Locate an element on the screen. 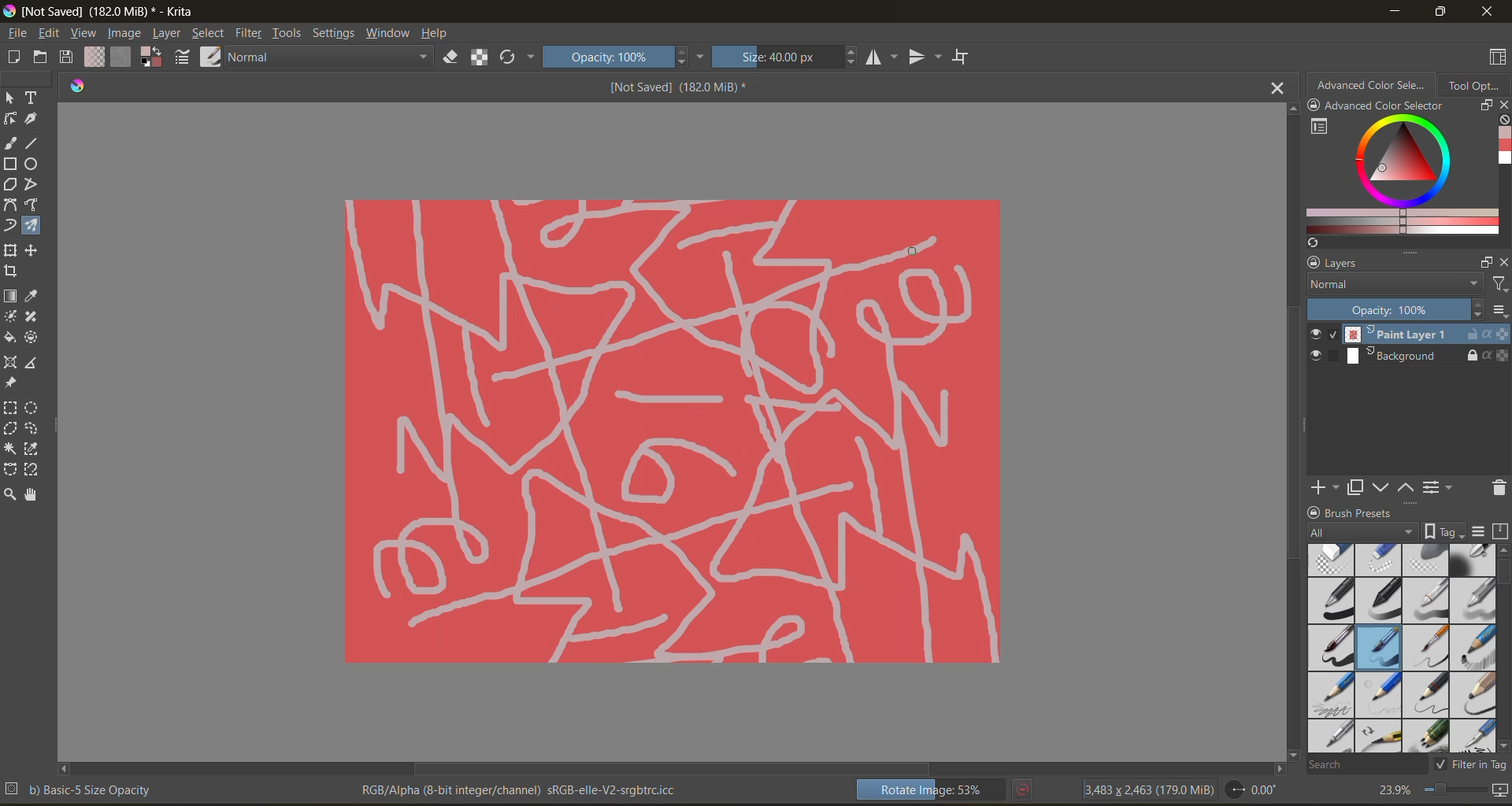 This screenshot has width=1512, height=806. Fill patterns is located at coordinates (121, 57).